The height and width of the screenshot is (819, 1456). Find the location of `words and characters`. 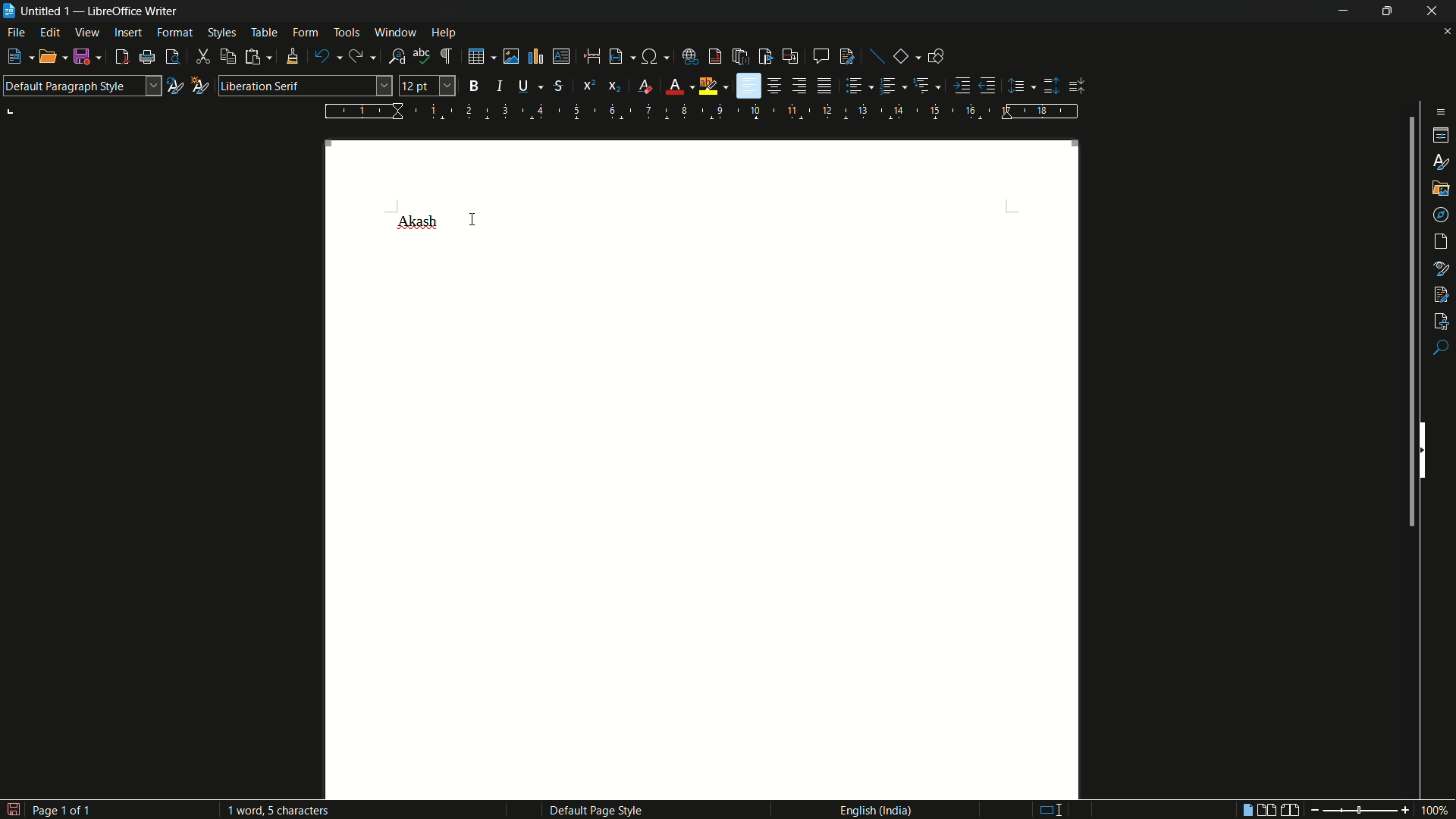

words and characters is located at coordinates (280, 810).